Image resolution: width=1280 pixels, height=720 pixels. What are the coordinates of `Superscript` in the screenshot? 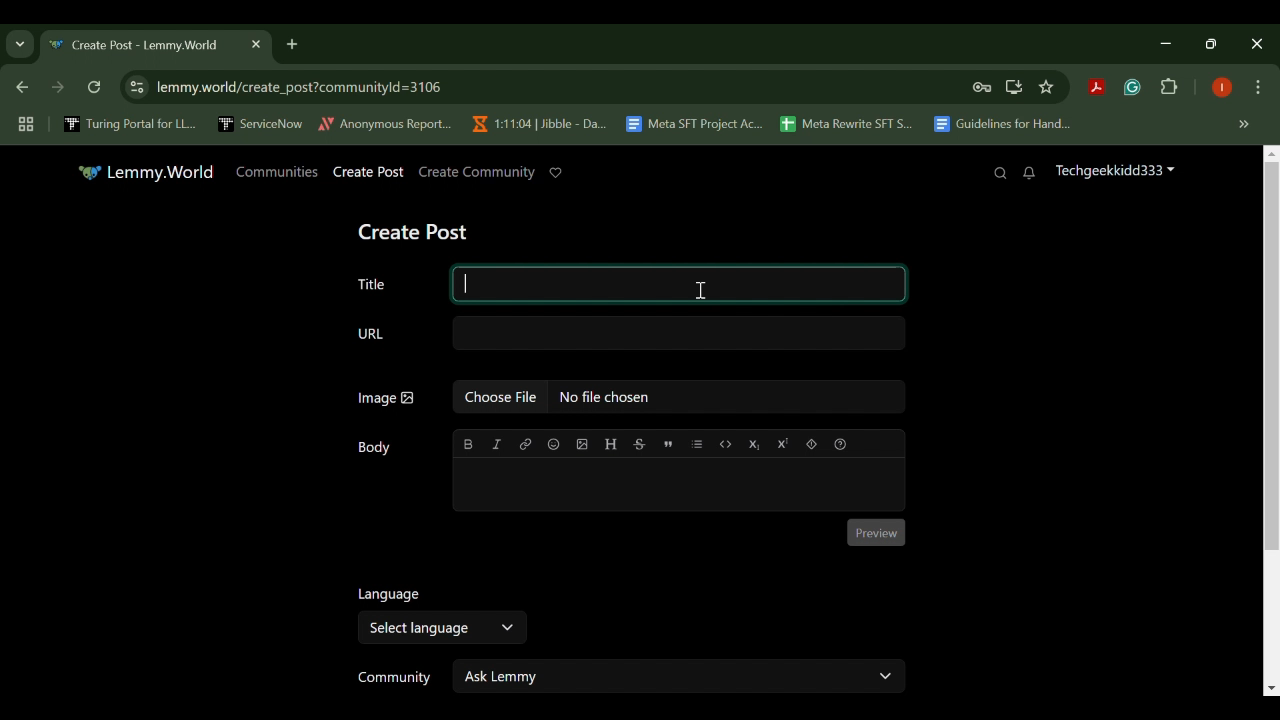 It's located at (782, 443).